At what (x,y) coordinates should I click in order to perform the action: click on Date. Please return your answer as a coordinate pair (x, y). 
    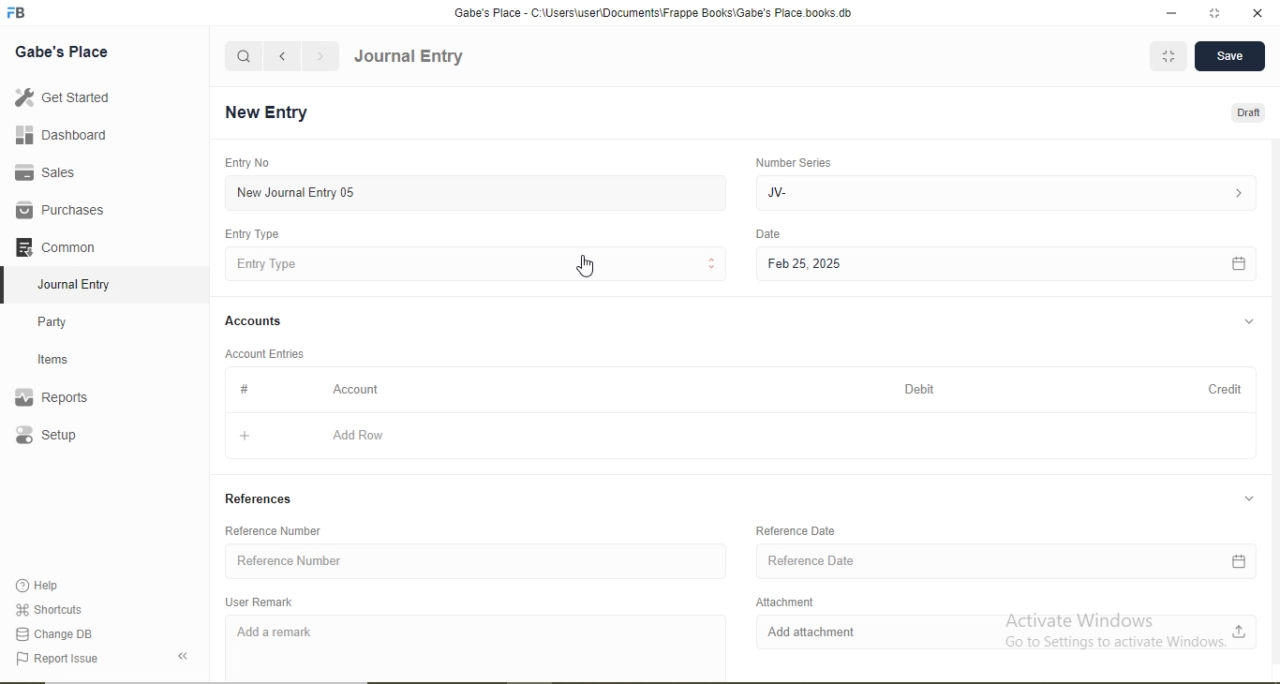
    Looking at the image, I should click on (769, 234).